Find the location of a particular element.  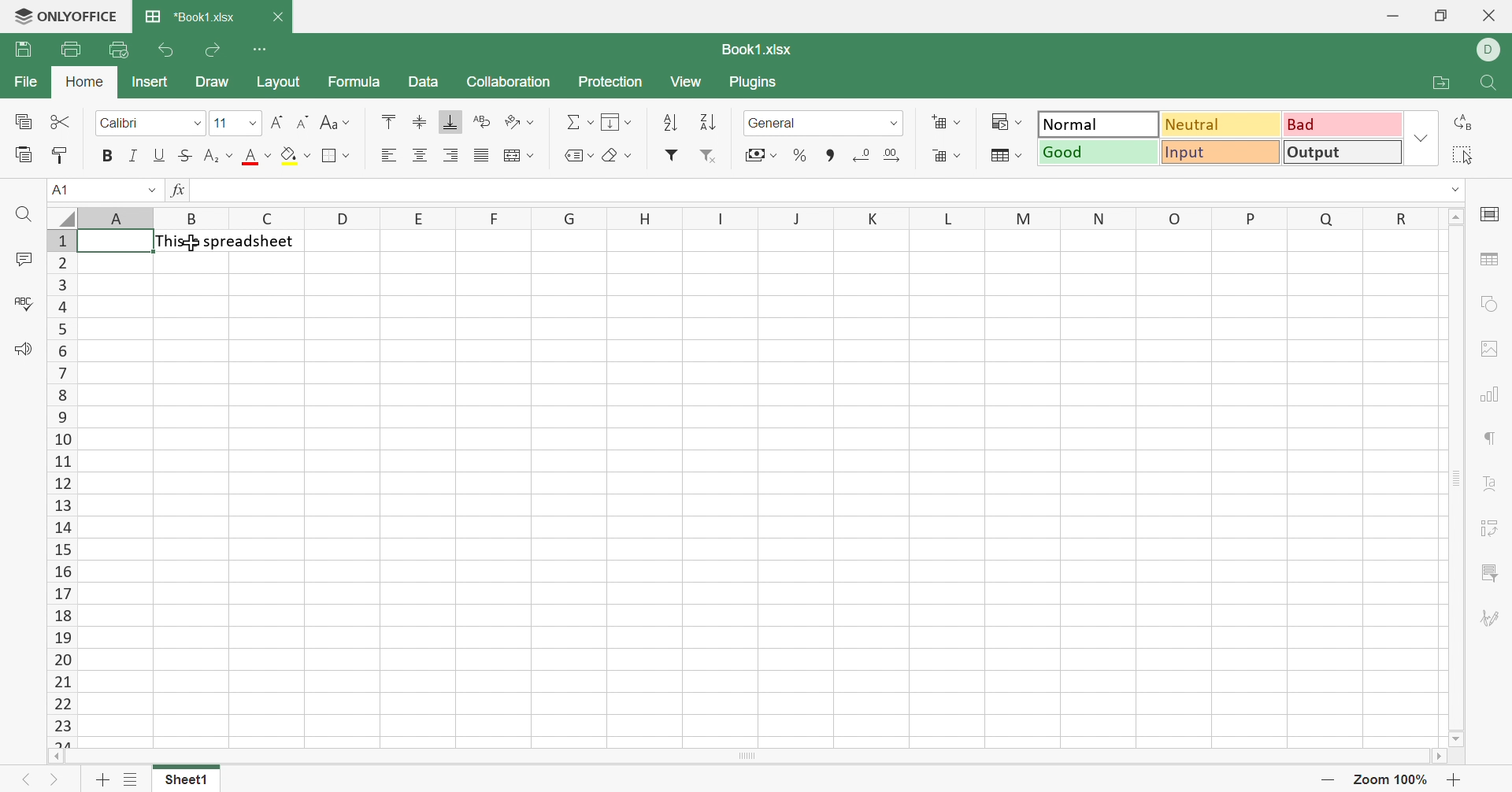

Plugins is located at coordinates (756, 82).